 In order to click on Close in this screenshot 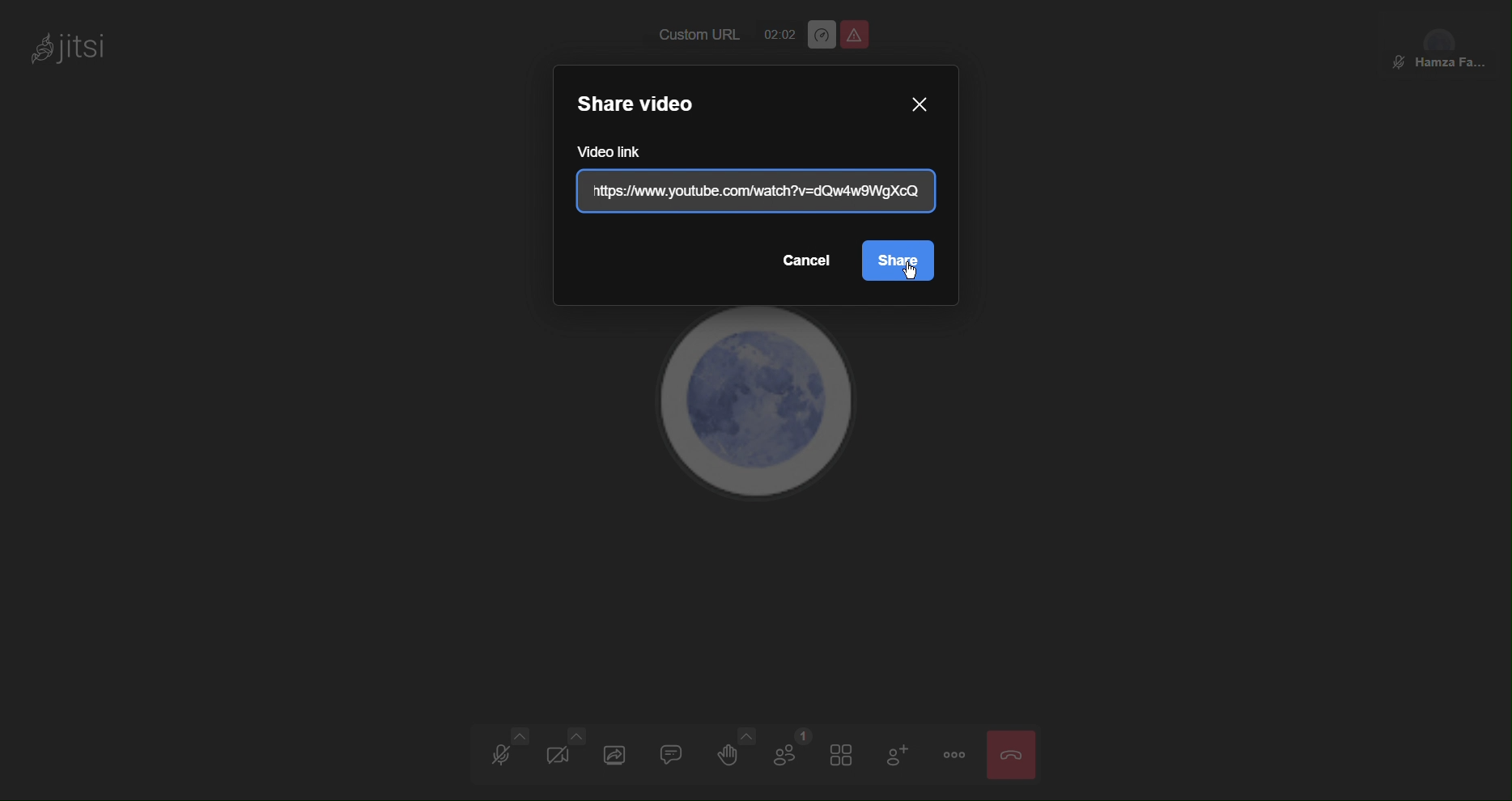, I will do `click(920, 102)`.